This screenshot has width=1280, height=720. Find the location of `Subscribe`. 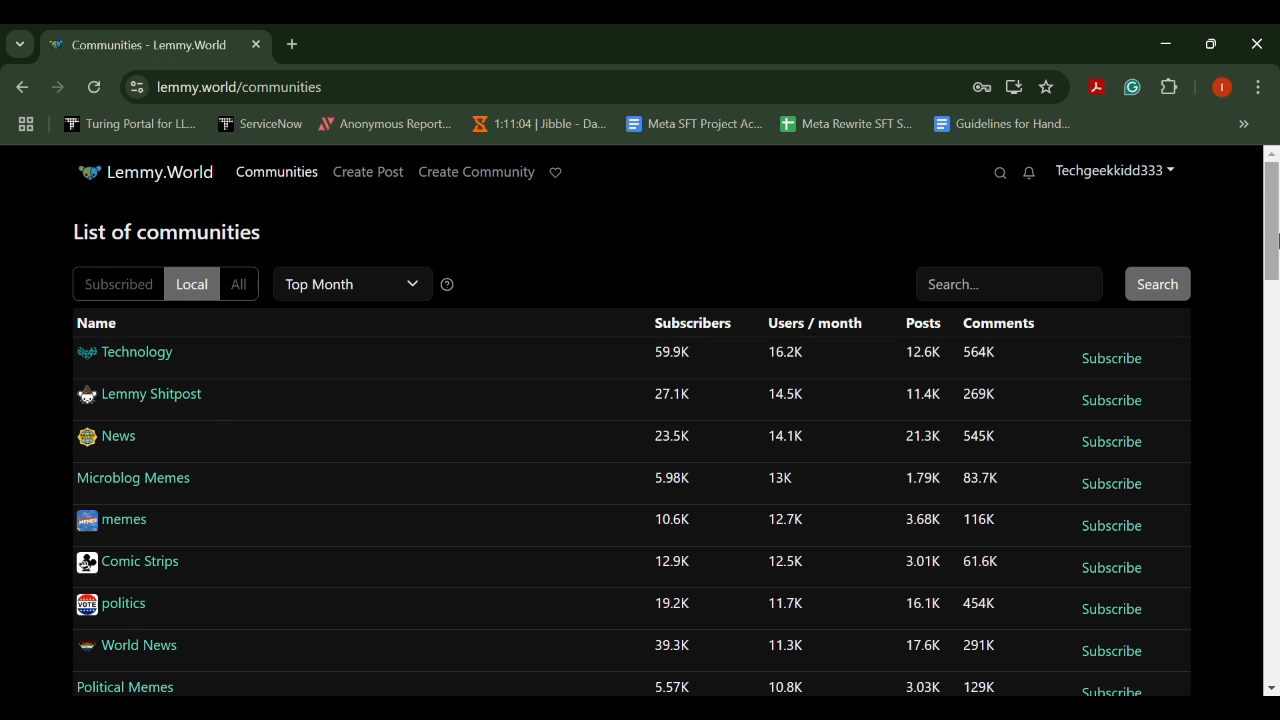

Subscribe is located at coordinates (1114, 401).